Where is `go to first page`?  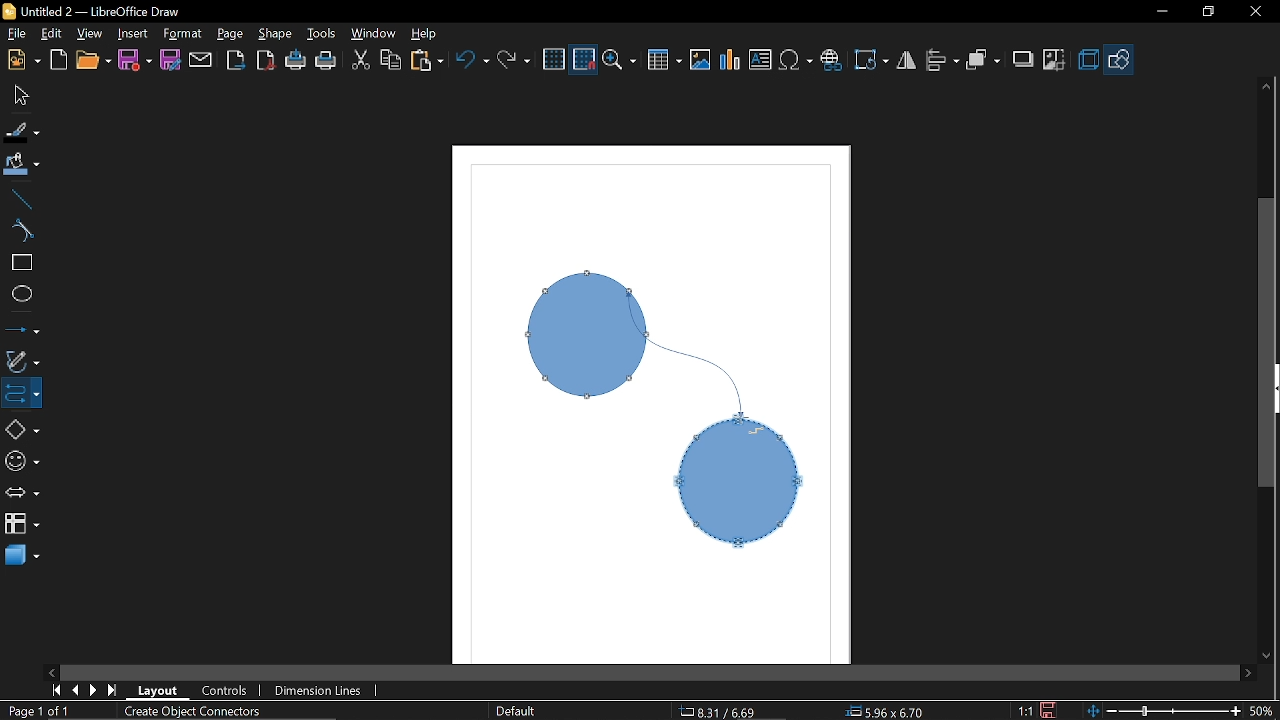
go to first page is located at coordinates (54, 691).